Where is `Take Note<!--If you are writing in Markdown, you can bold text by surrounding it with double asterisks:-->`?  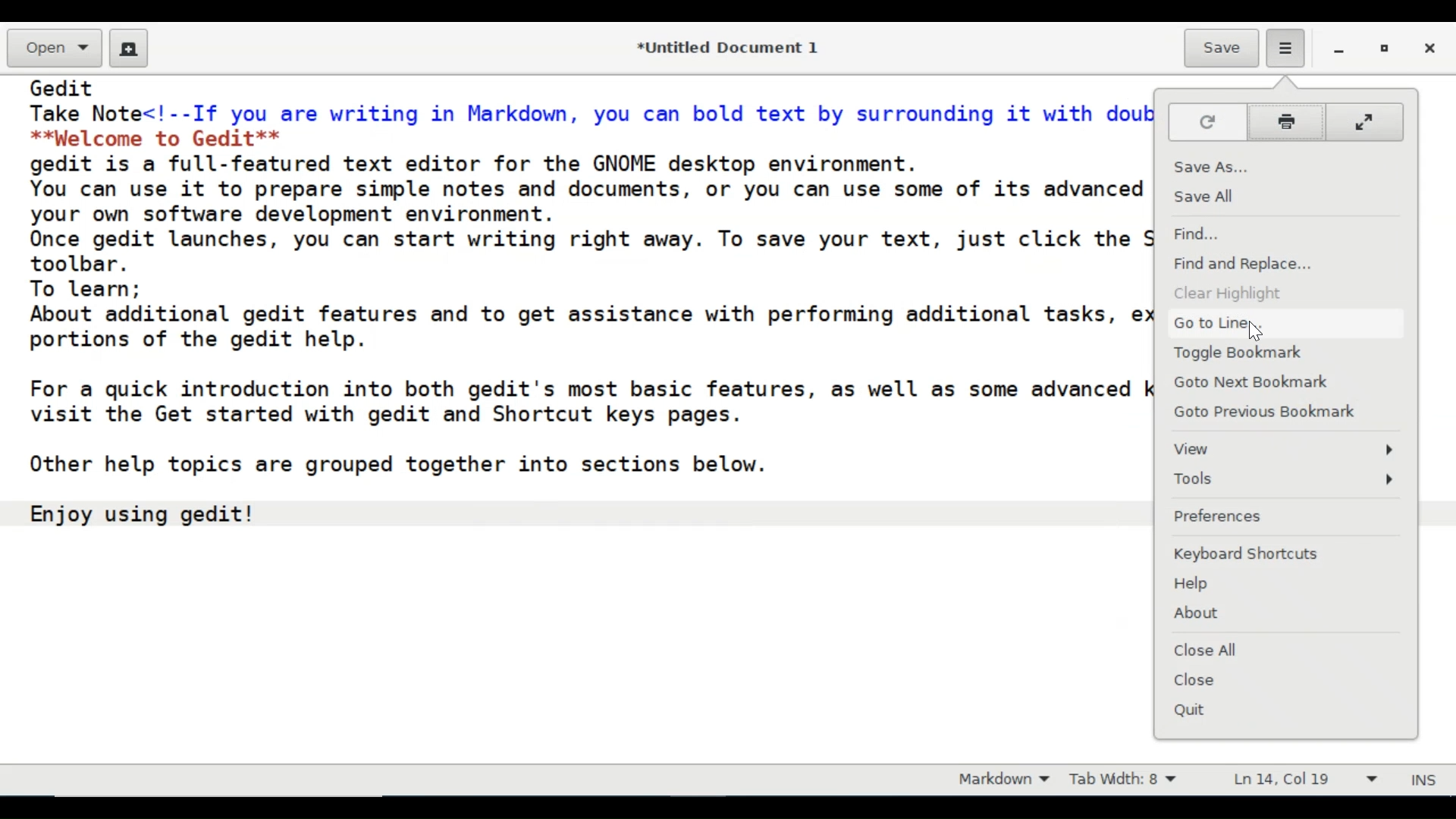 Take Note<!--If you are writing in Markdown, you can bold text by surrounding it with double asterisks:--> is located at coordinates (591, 114).